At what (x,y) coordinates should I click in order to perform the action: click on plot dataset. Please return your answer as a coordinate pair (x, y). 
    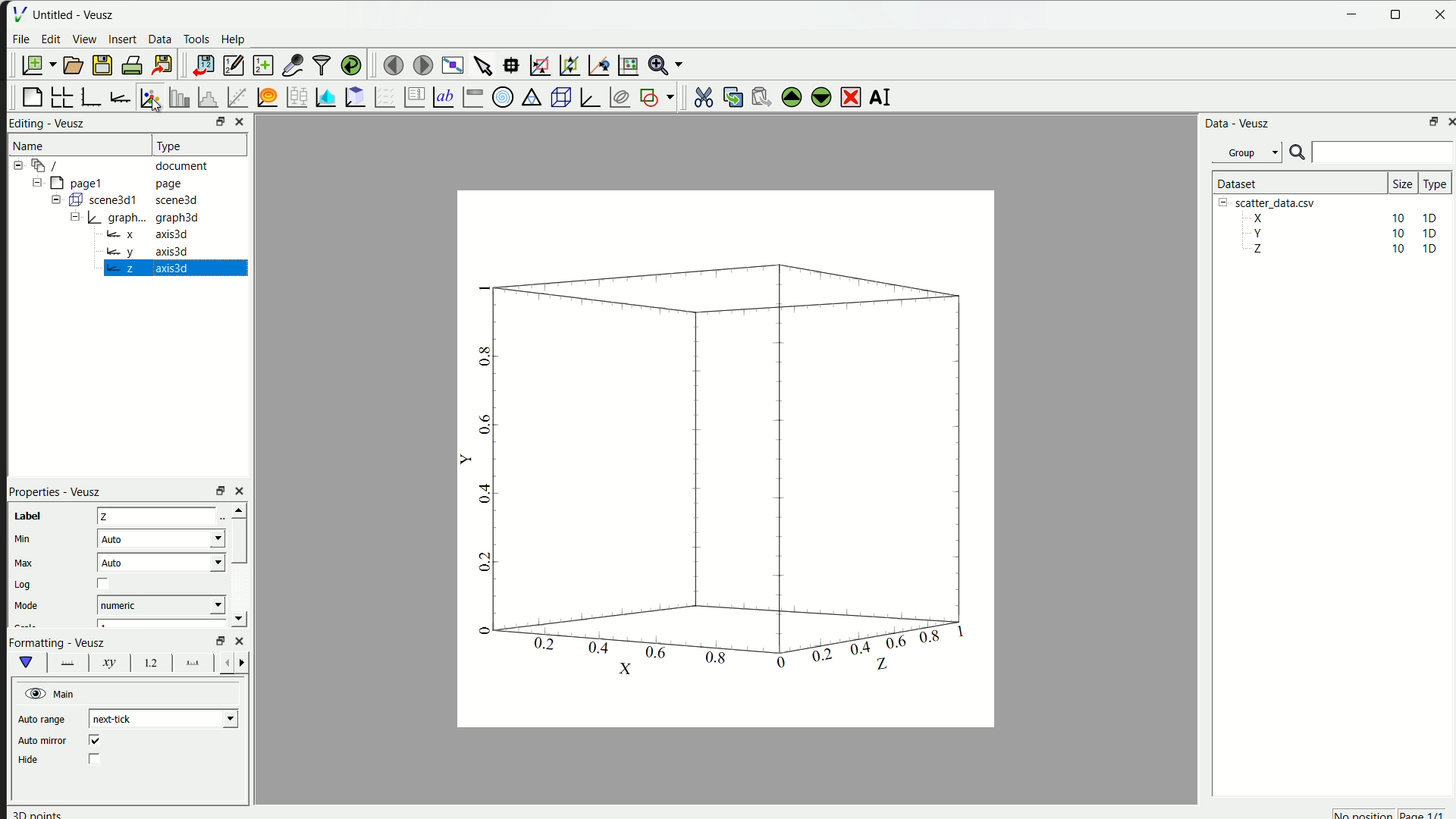
    Looking at the image, I should click on (323, 96).